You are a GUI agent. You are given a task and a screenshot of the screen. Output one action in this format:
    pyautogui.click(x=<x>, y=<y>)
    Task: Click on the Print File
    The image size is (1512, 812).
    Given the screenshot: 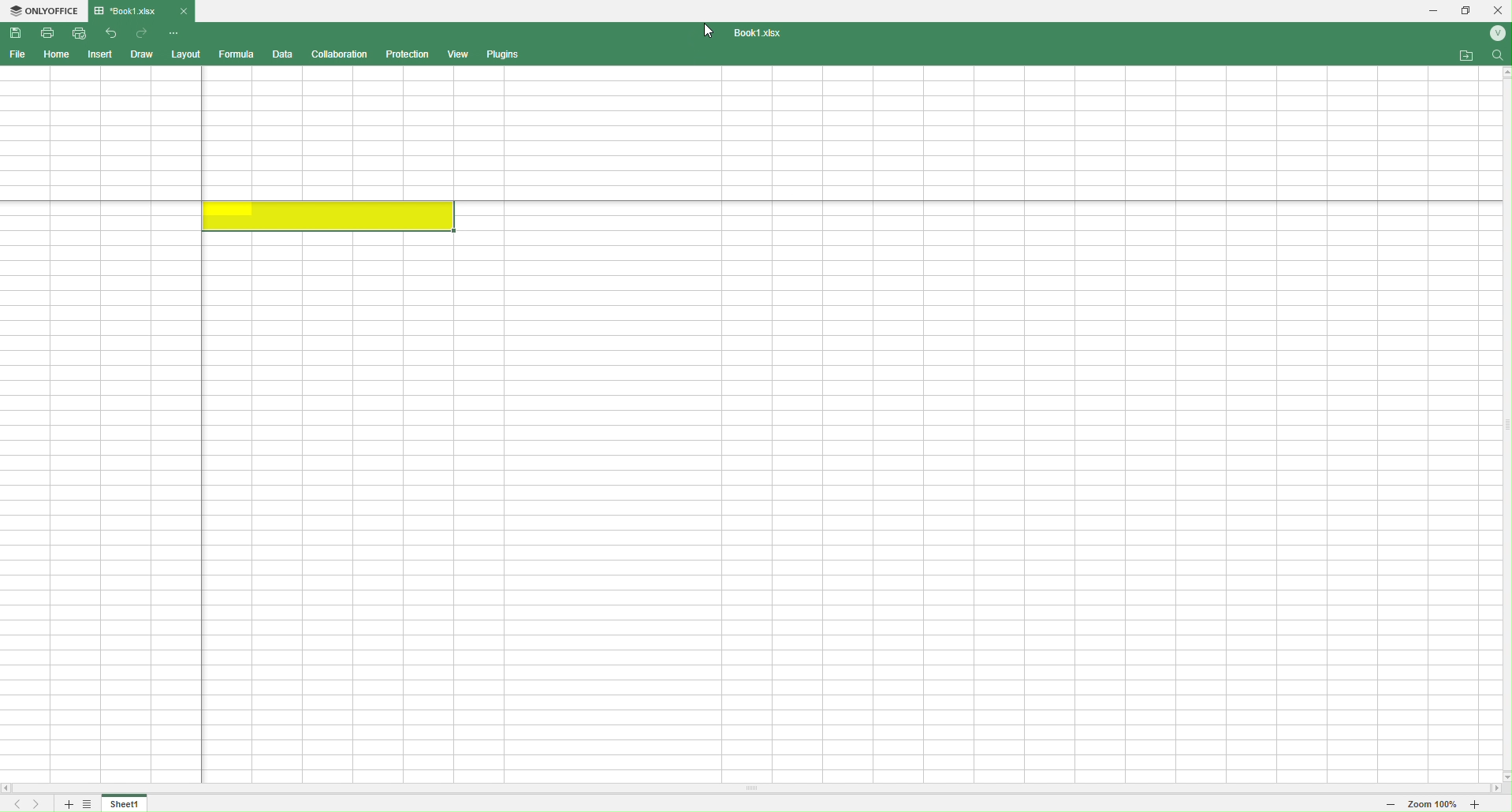 What is the action you would take?
    pyautogui.click(x=52, y=36)
    